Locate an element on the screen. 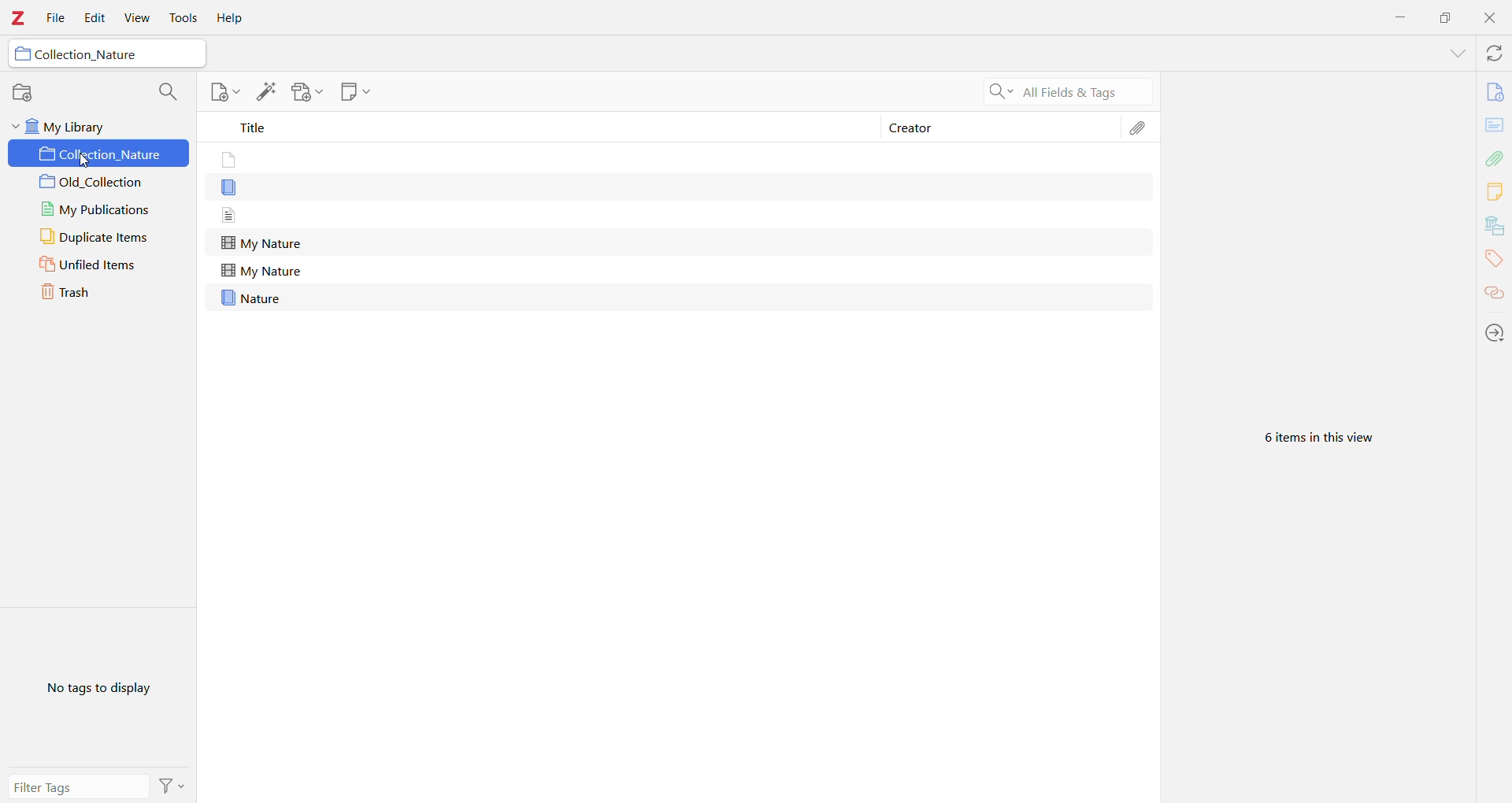  File is located at coordinates (56, 20).